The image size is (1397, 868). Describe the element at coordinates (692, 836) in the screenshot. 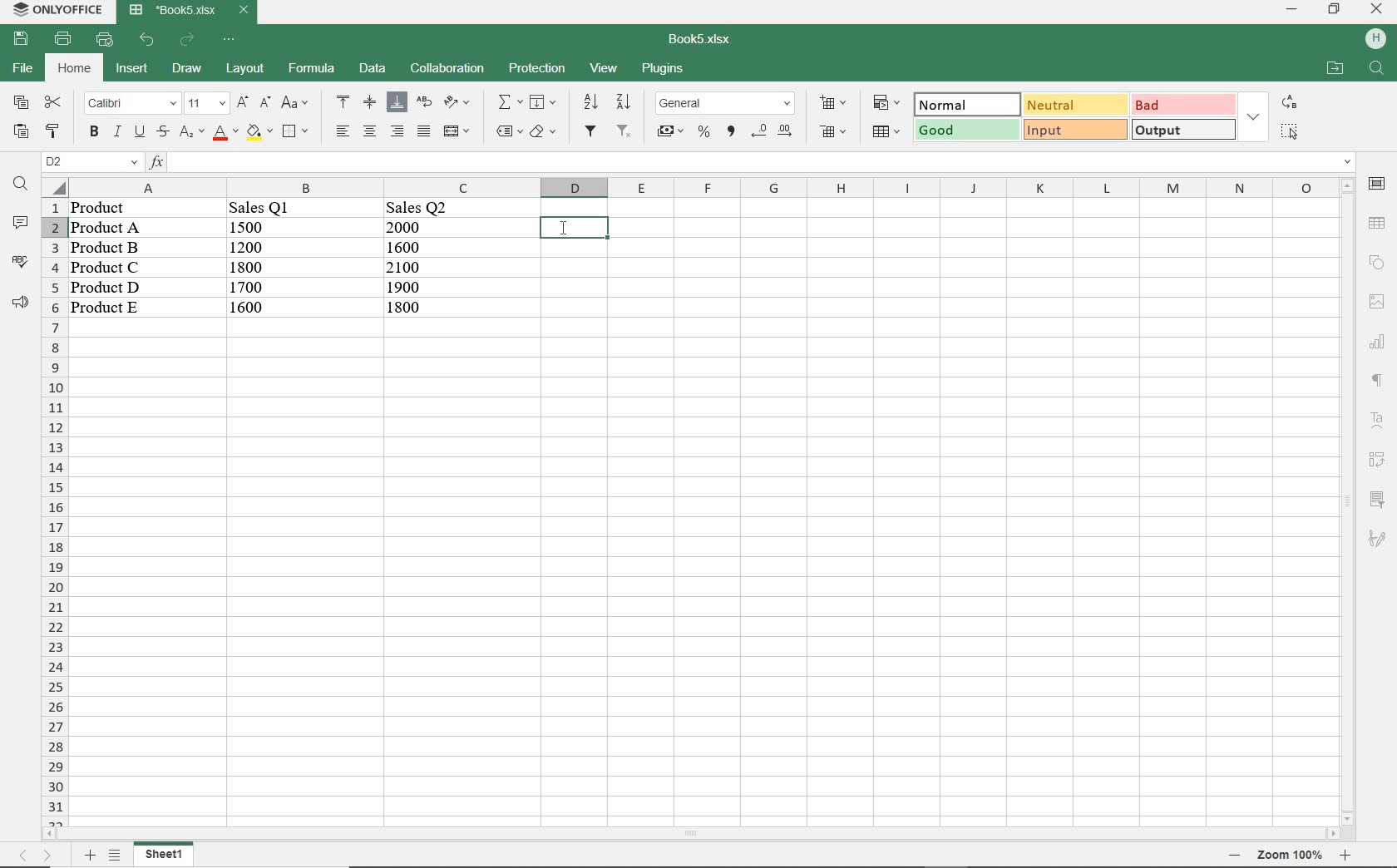

I see `scrollbar` at that location.